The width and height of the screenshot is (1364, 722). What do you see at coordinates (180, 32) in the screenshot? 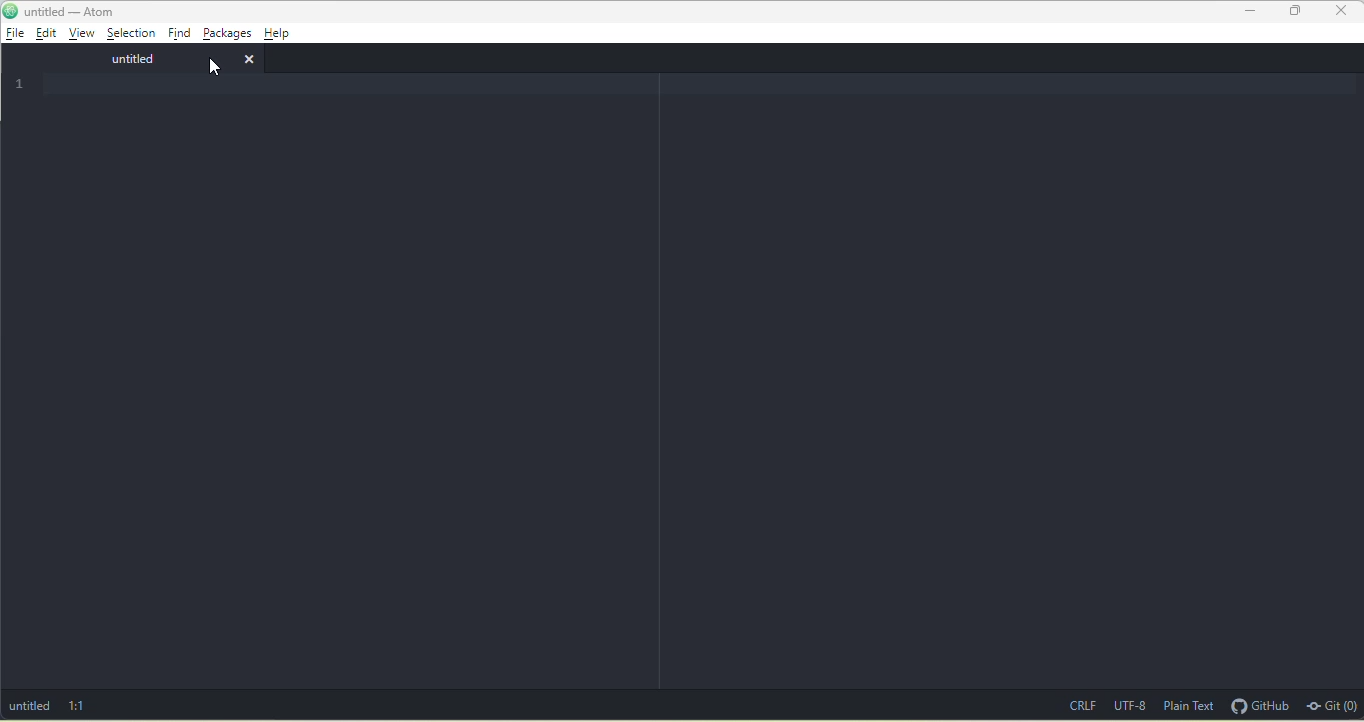
I see `find` at bounding box center [180, 32].